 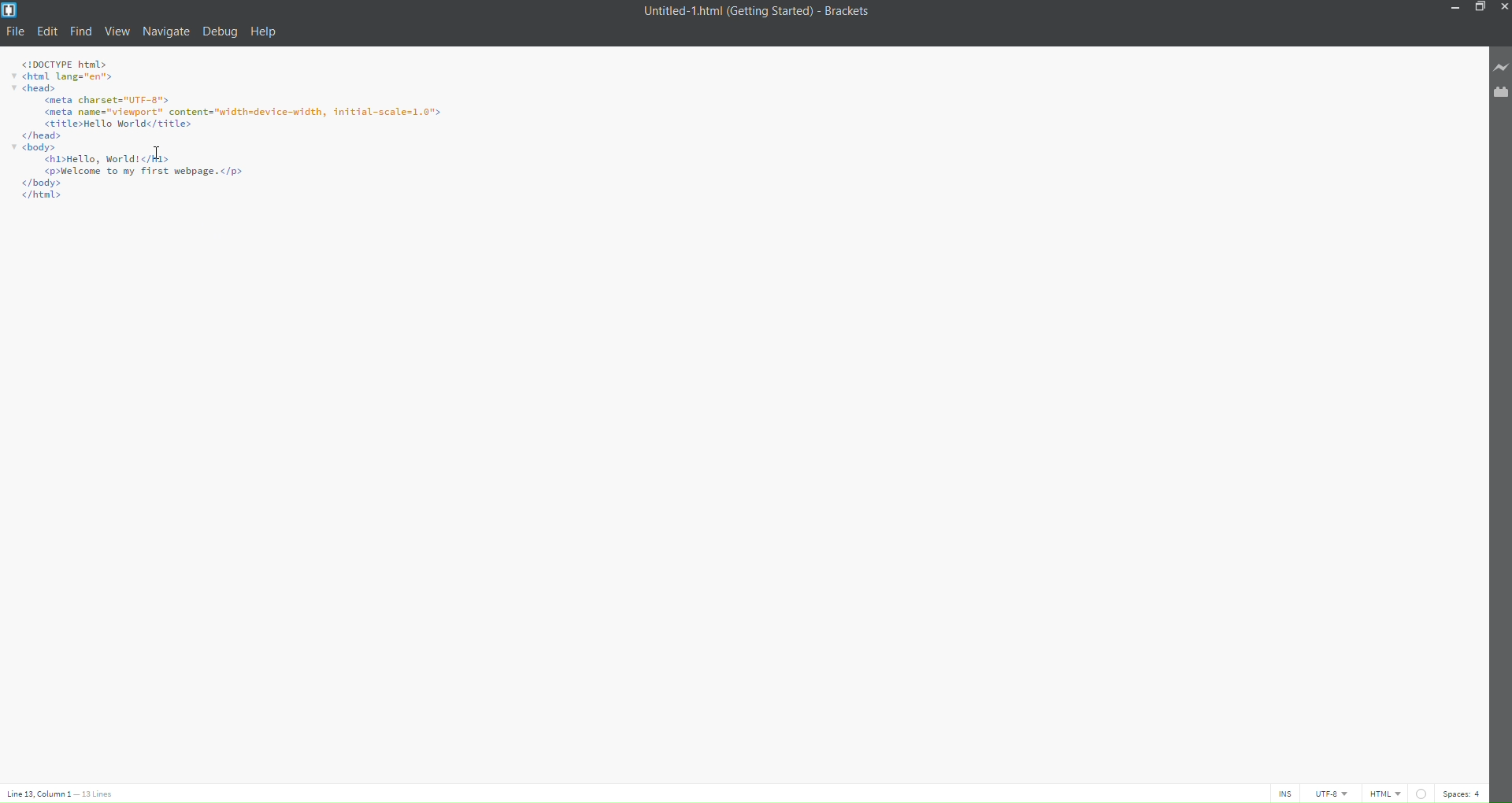 What do you see at coordinates (266, 32) in the screenshot?
I see `help` at bounding box center [266, 32].